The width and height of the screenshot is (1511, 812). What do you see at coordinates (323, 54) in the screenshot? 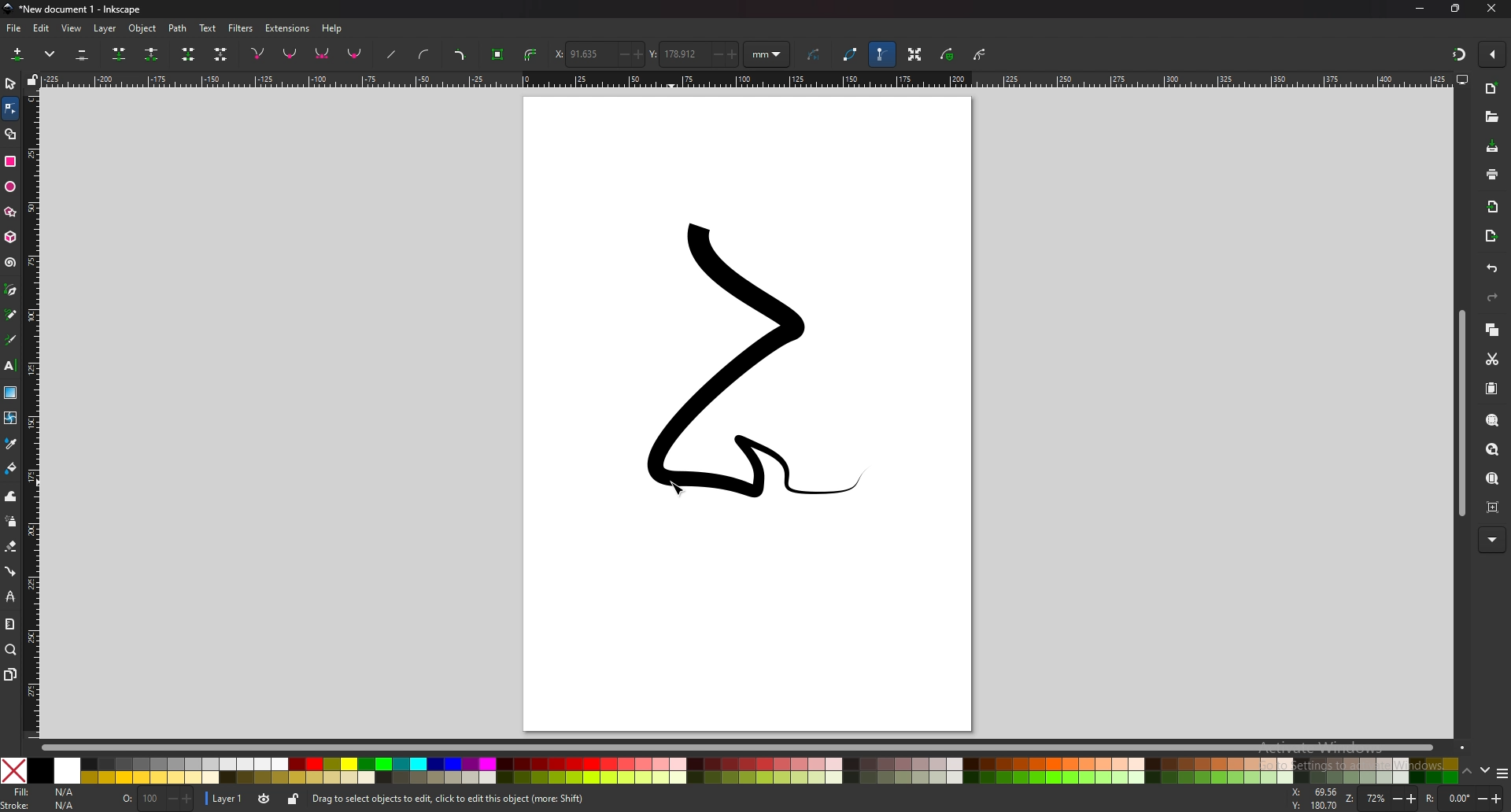
I see `symmetric` at bounding box center [323, 54].